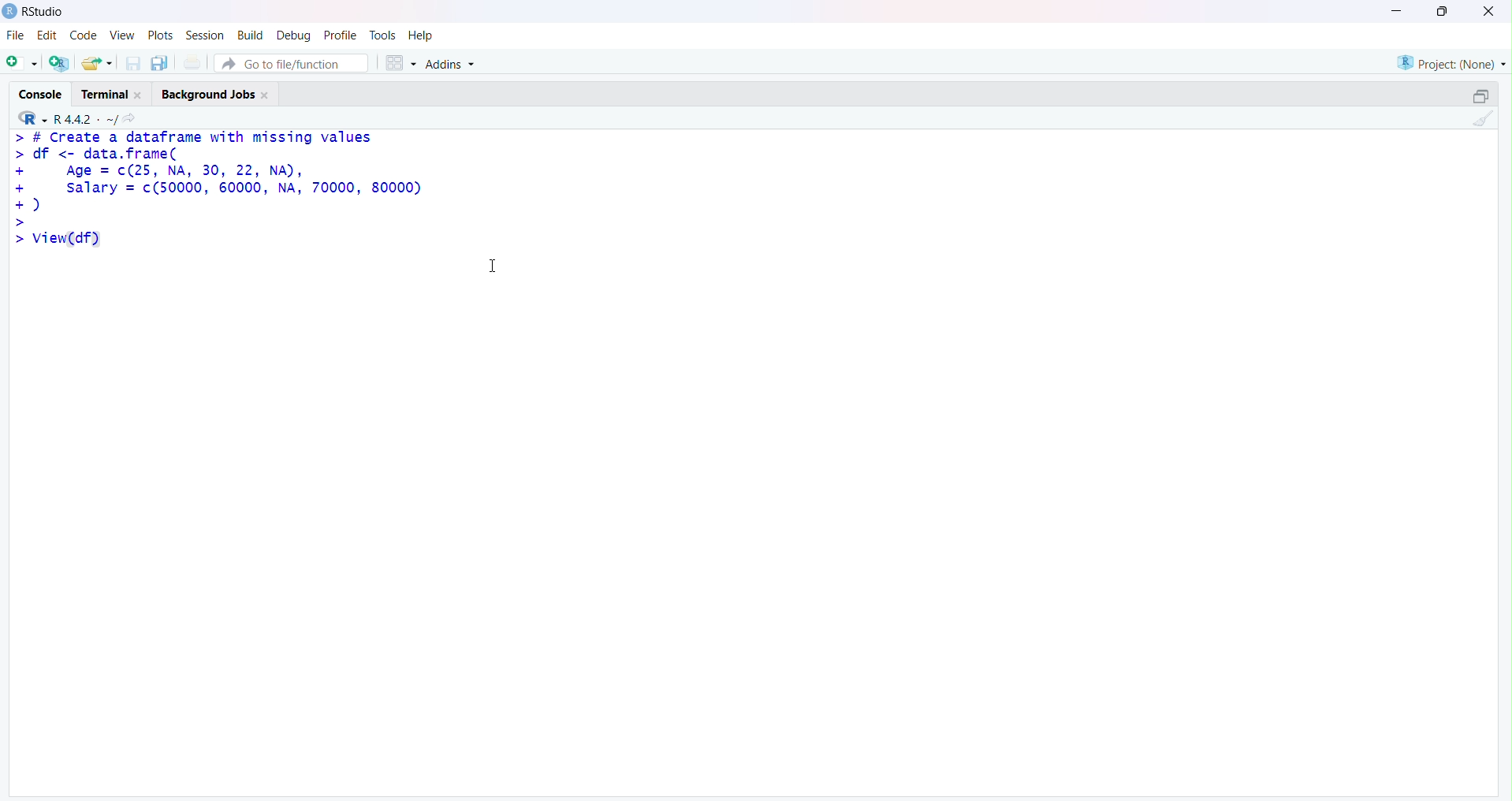 Image resolution: width=1512 pixels, height=801 pixels. What do you see at coordinates (1445, 12) in the screenshot?
I see `Maximize` at bounding box center [1445, 12].